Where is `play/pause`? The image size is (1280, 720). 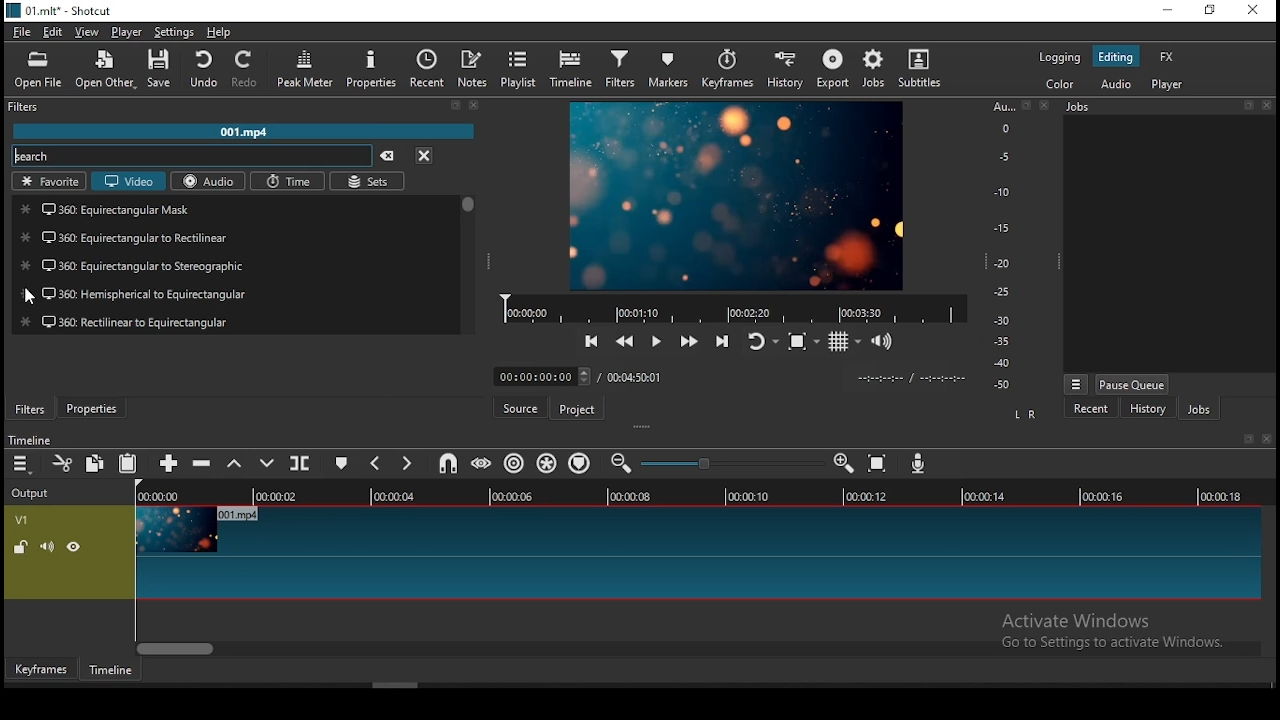
play/pause is located at coordinates (653, 342).